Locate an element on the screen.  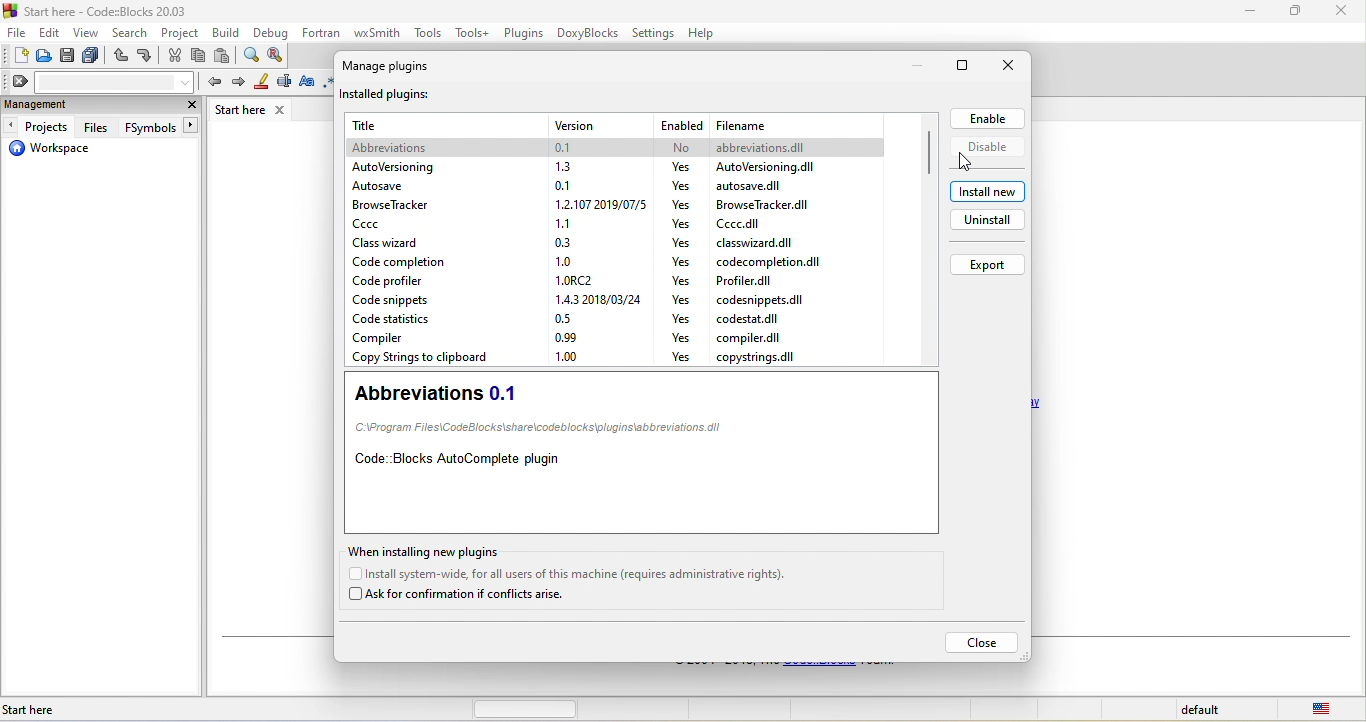
management is located at coordinates (85, 105).